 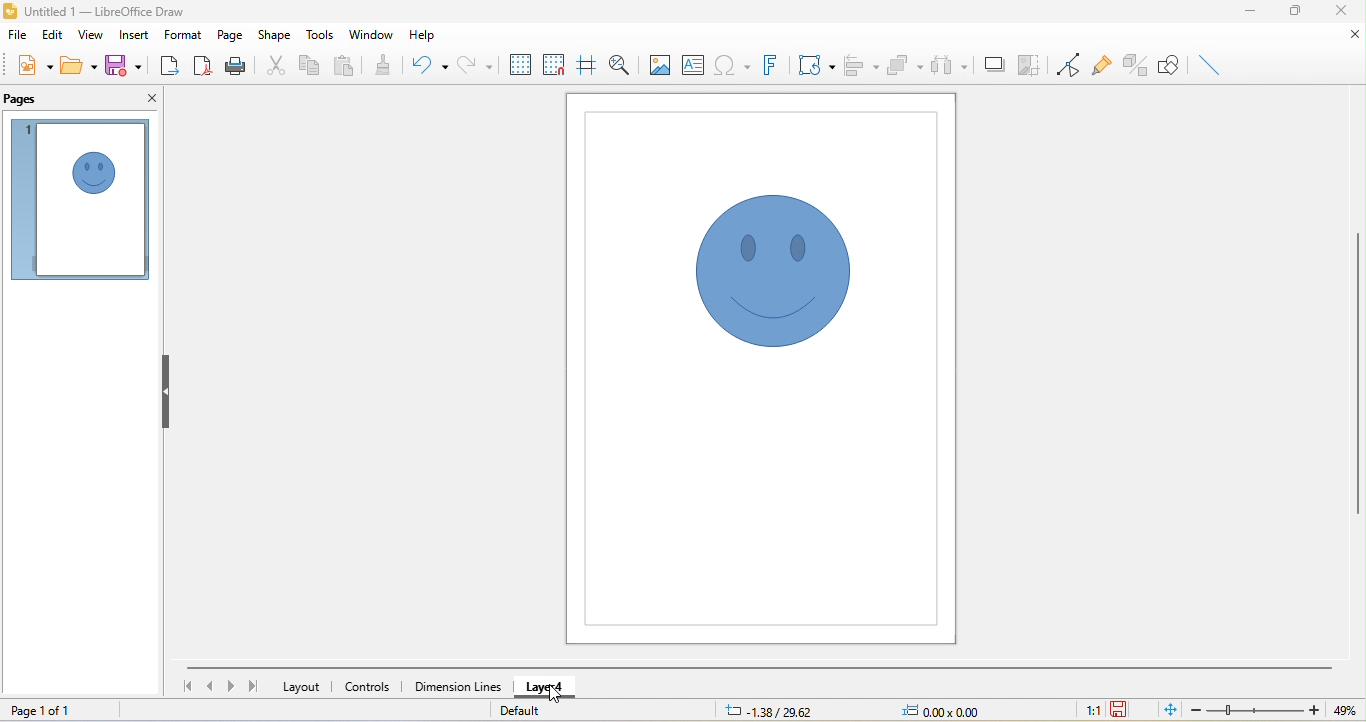 What do you see at coordinates (34, 68) in the screenshot?
I see `new` at bounding box center [34, 68].